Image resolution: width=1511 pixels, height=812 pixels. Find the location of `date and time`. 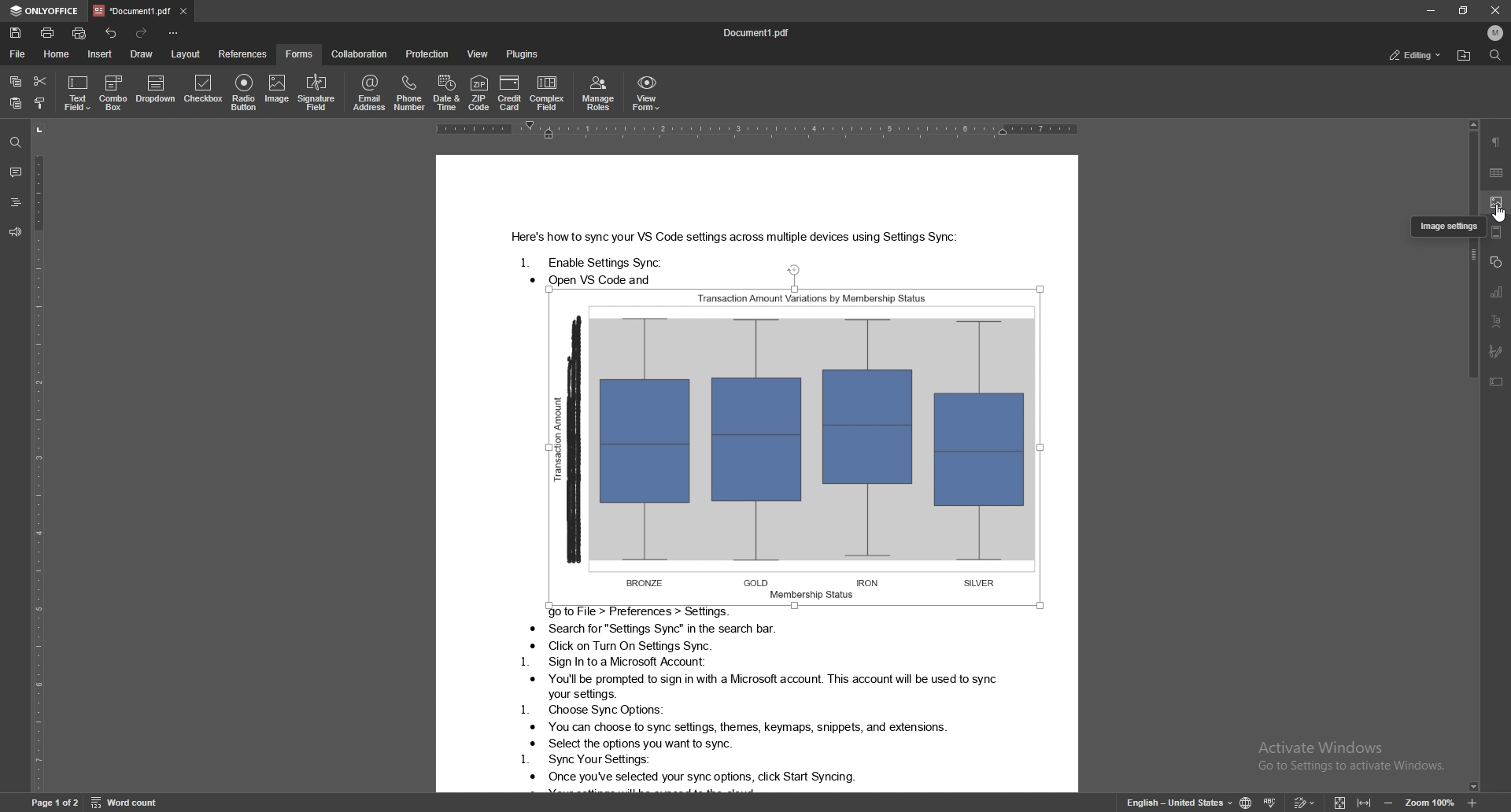

date and time is located at coordinates (446, 93).